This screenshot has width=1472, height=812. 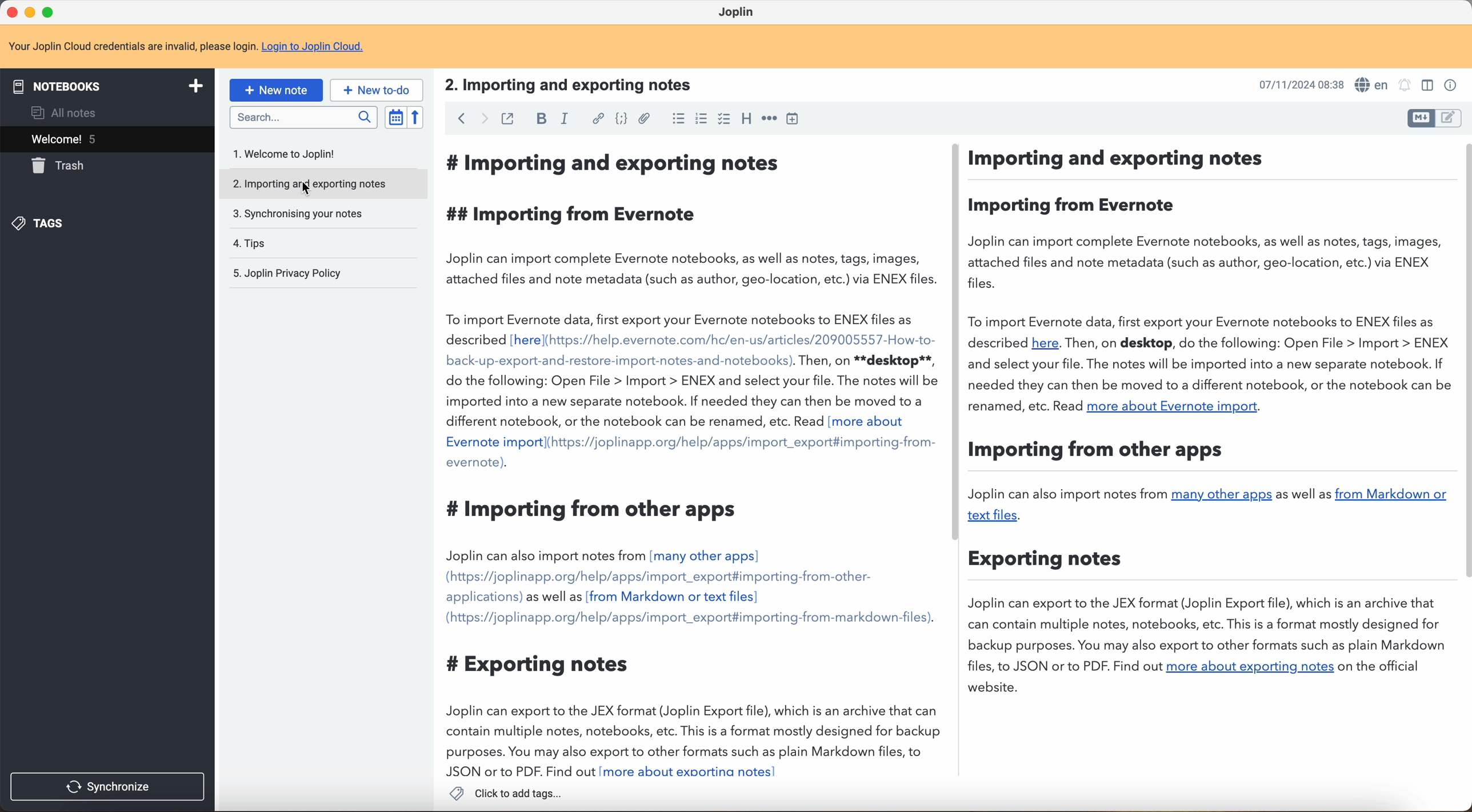 I want to click on click to add tags, so click(x=504, y=793).